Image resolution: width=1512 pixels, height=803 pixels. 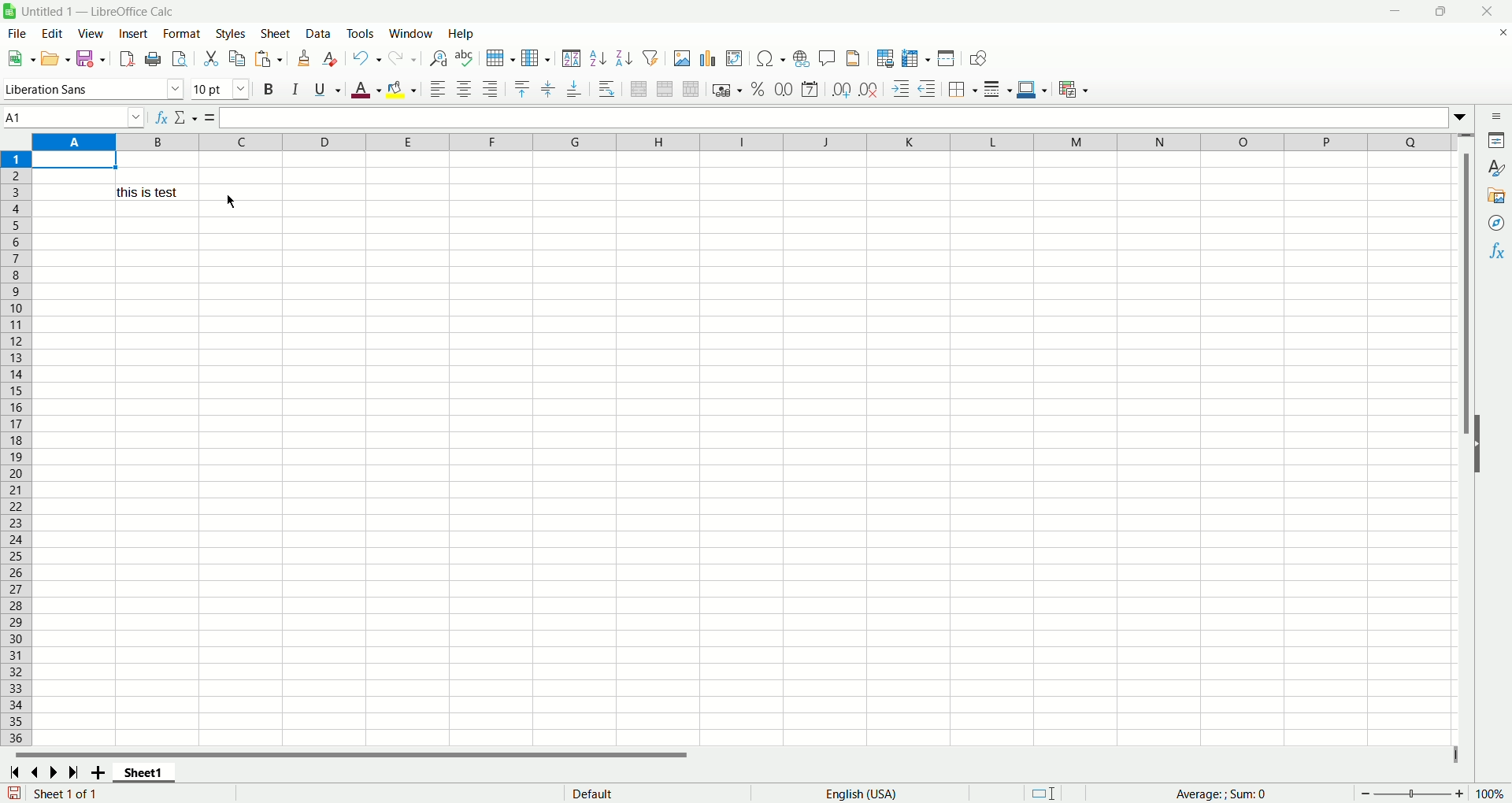 I want to click on chart, so click(x=708, y=57).